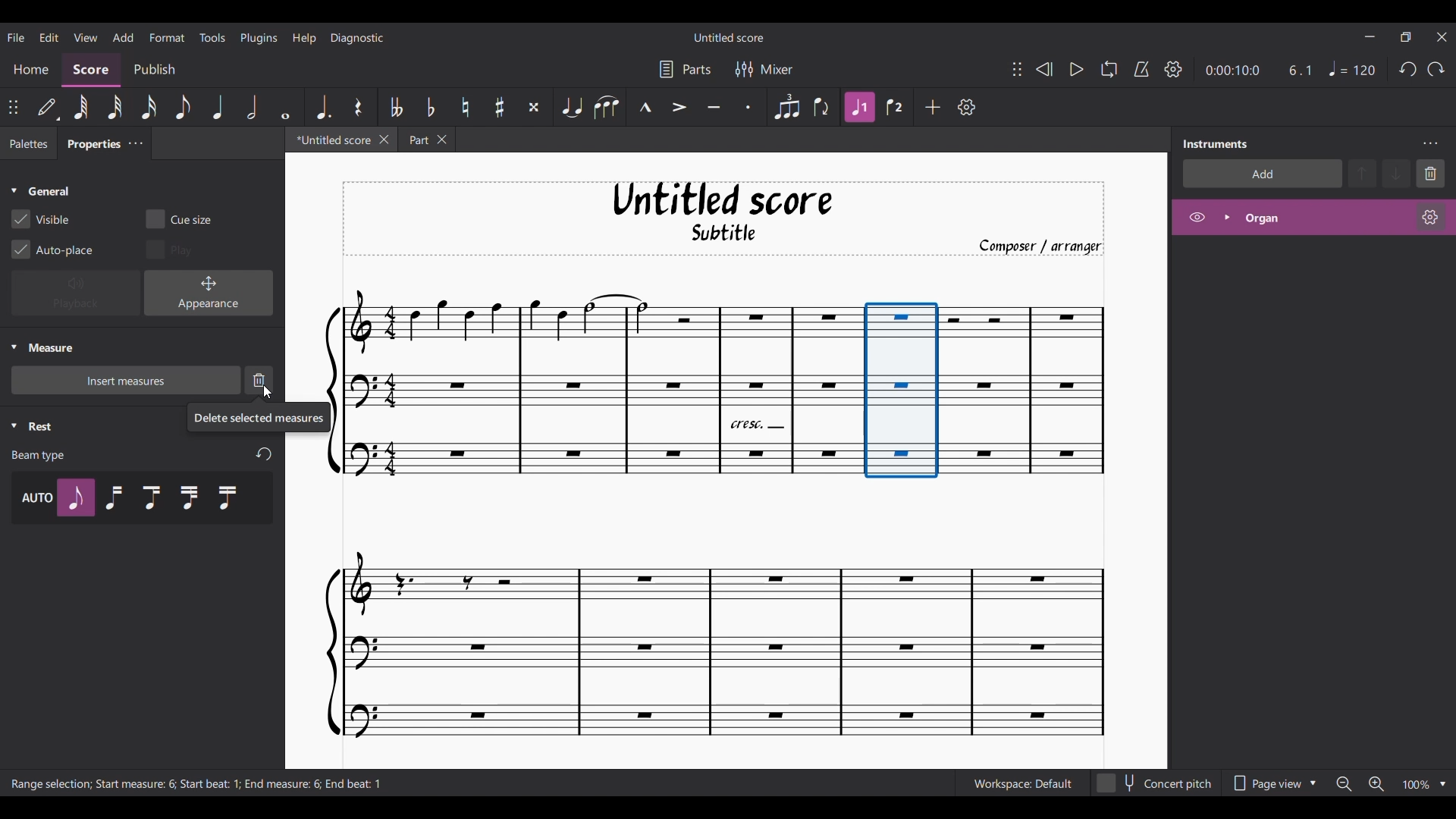 The image size is (1456, 819). I want to click on Redo, so click(1436, 68).